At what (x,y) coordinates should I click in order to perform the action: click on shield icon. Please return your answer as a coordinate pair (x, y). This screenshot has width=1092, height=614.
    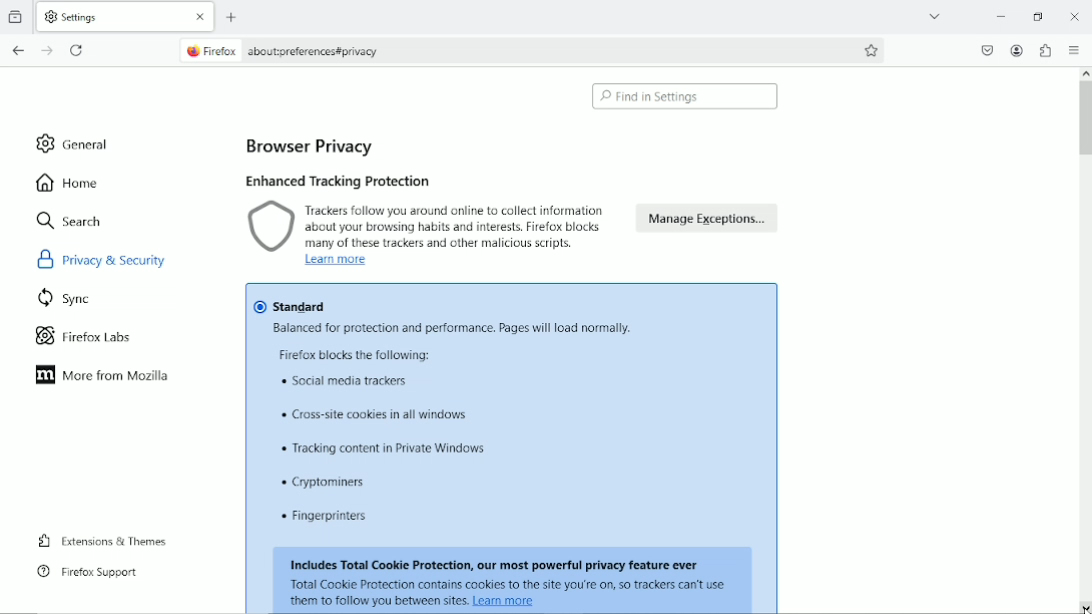
    Looking at the image, I should click on (271, 228).